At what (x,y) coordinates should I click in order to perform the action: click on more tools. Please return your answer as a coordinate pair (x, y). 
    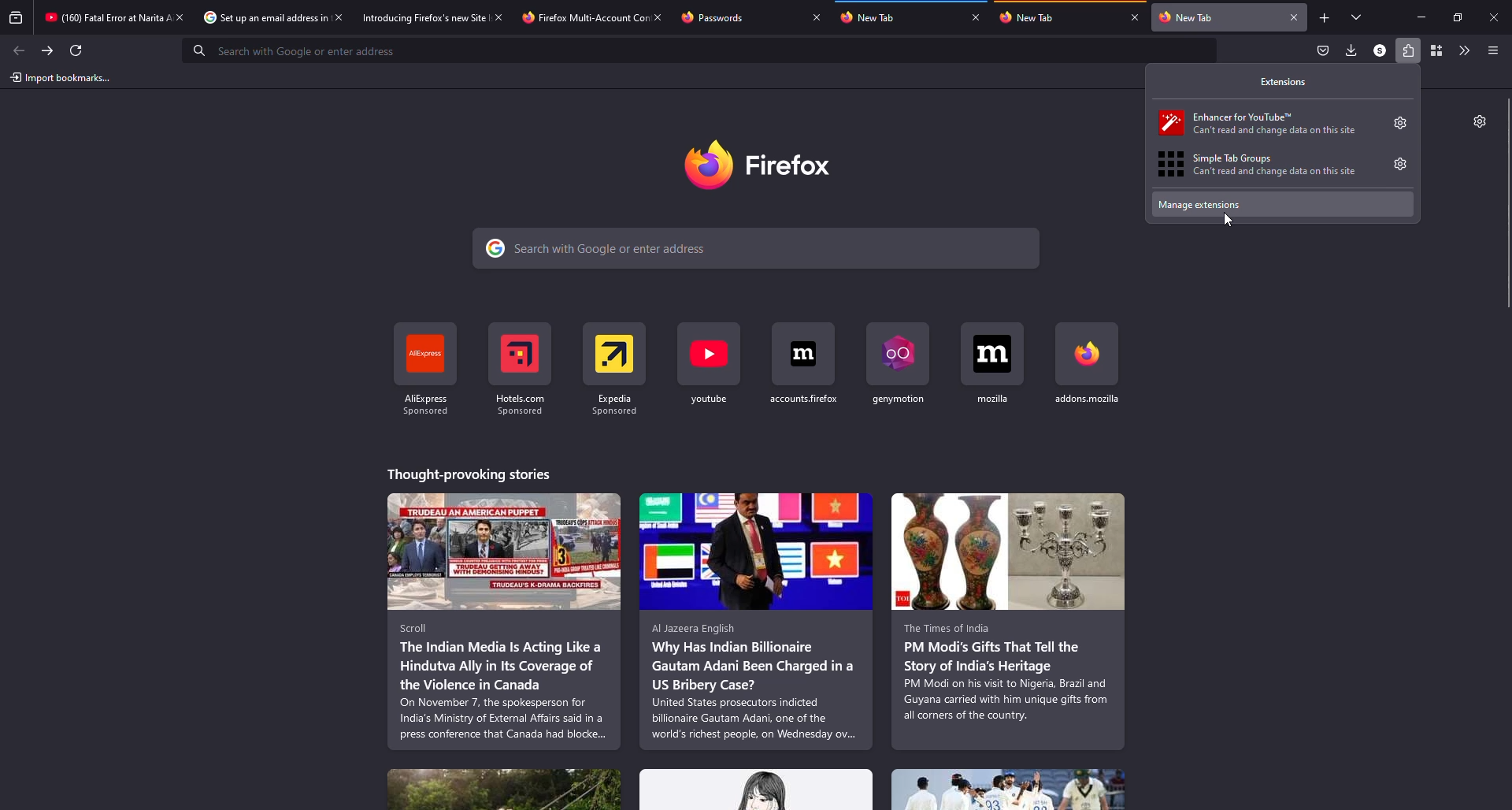
    Looking at the image, I should click on (1462, 50).